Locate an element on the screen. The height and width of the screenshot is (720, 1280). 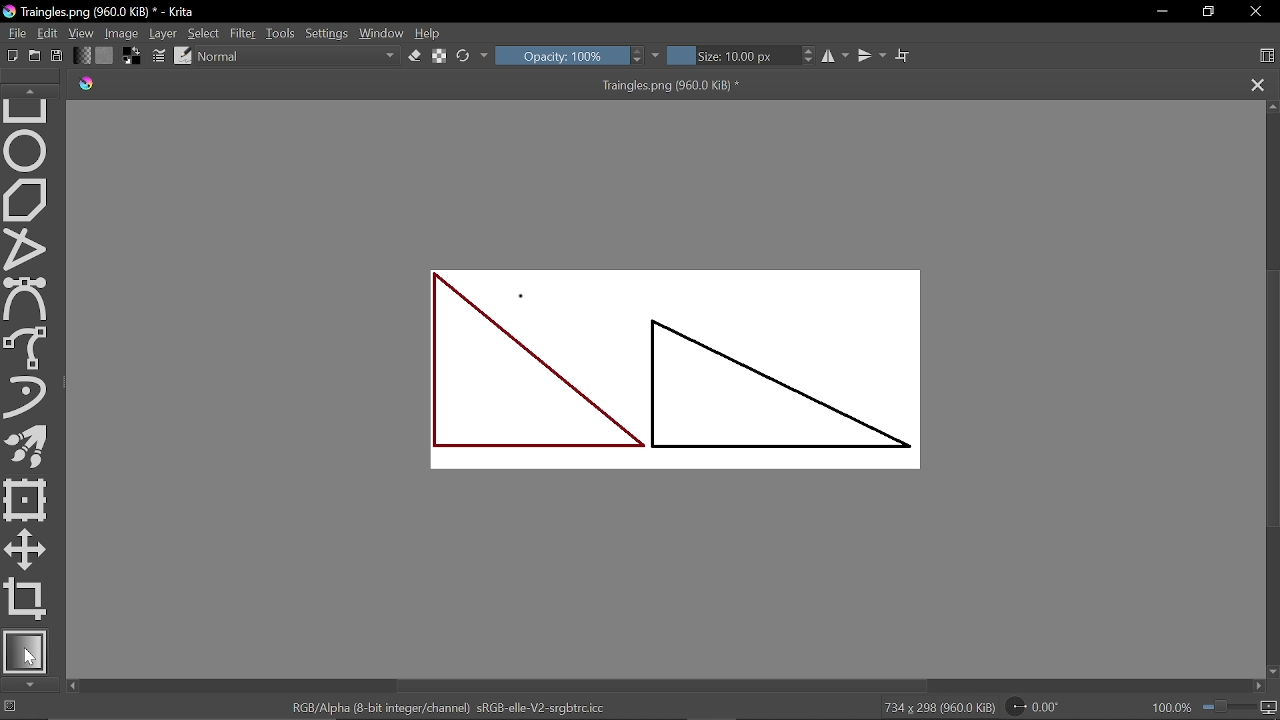
Freehand path tool is located at coordinates (29, 348).